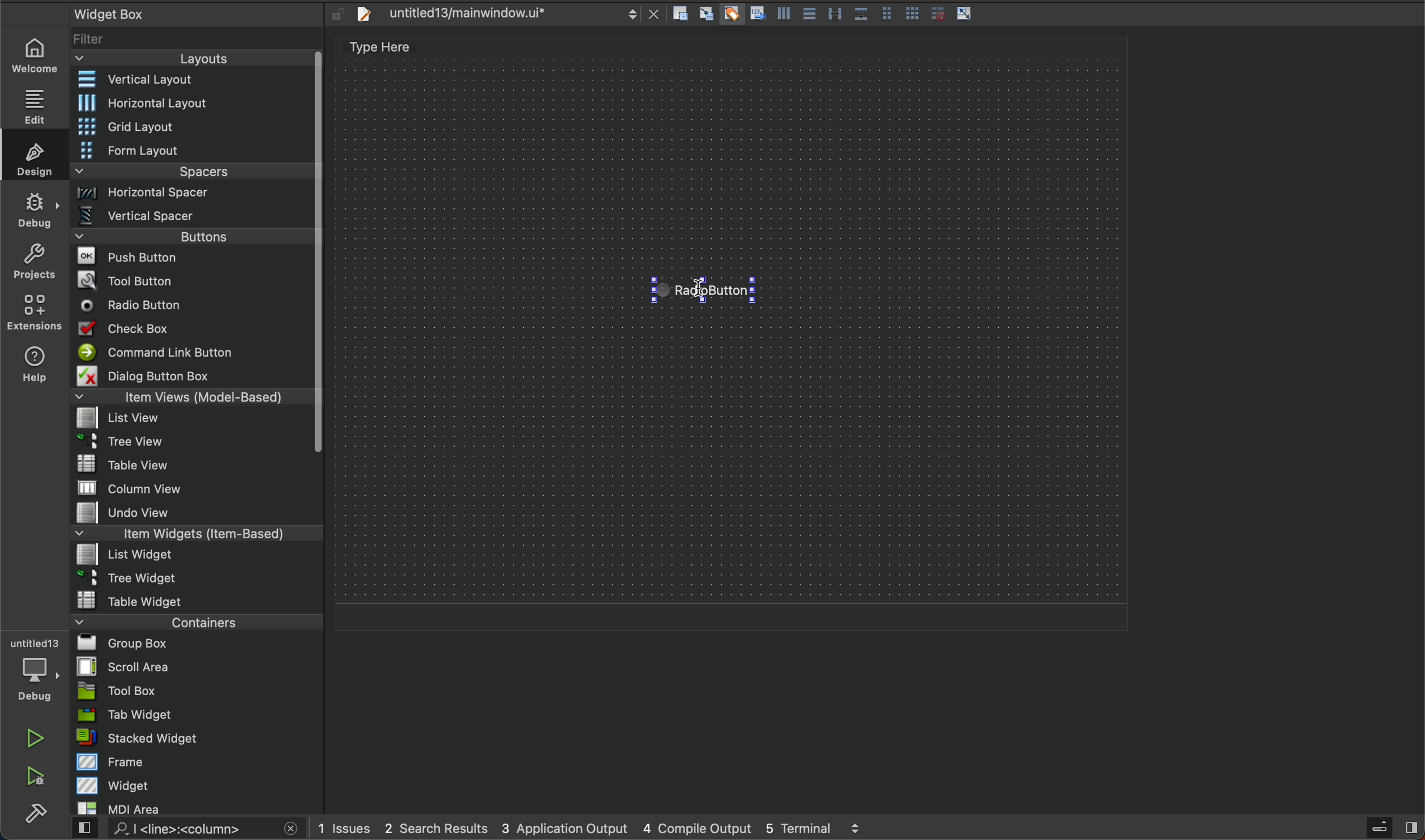 This screenshot has height=840, width=1425. I want to click on projects, so click(34, 264).